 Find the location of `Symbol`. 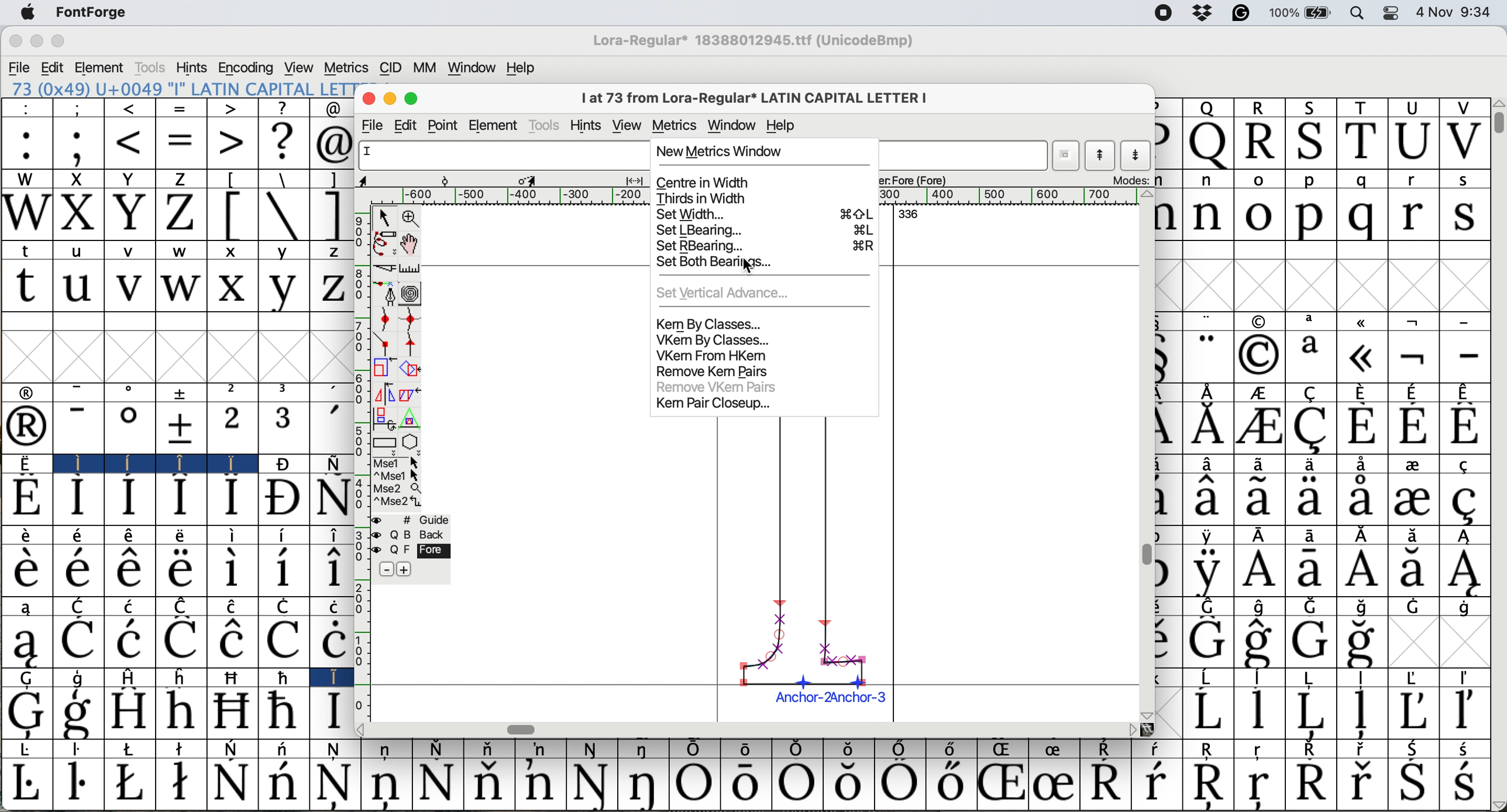

Symbol is located at coordinates (180, 570).